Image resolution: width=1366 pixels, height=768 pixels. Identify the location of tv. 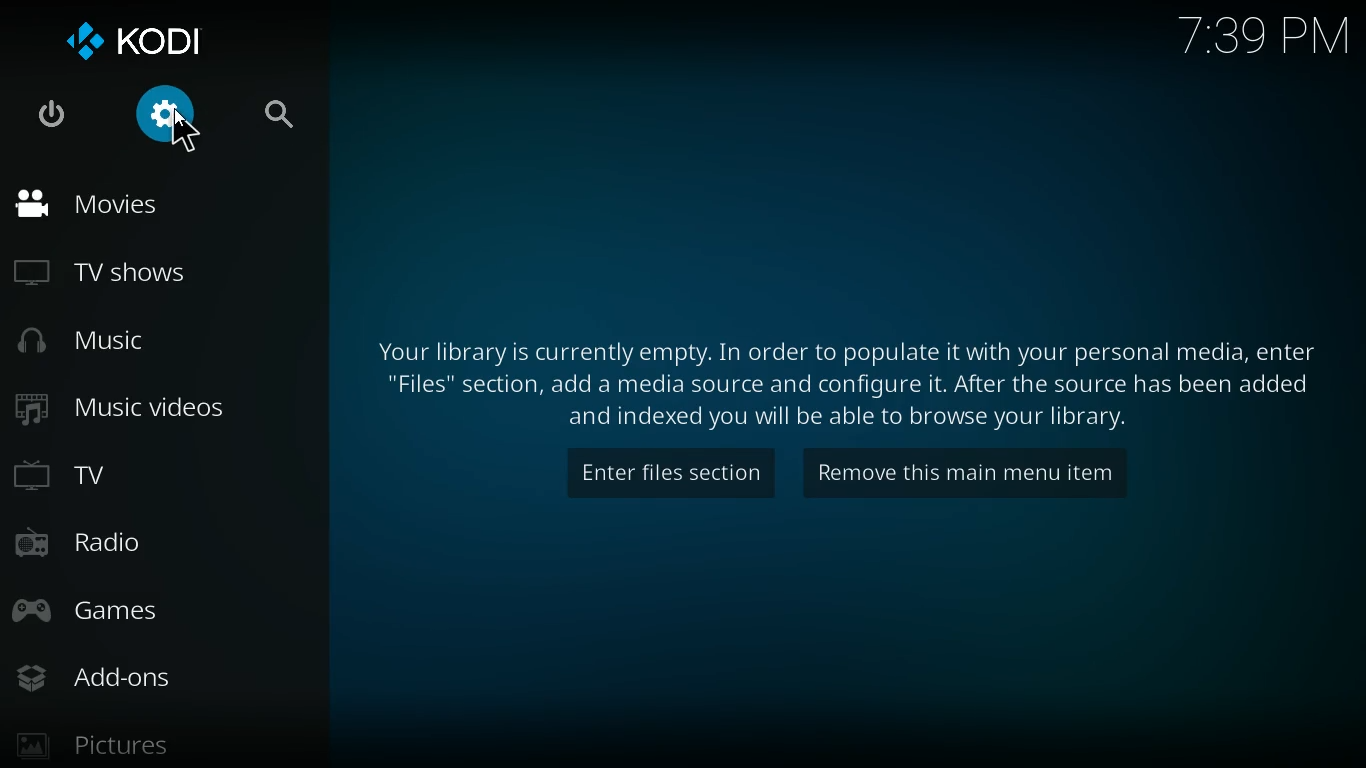
(138, 475).